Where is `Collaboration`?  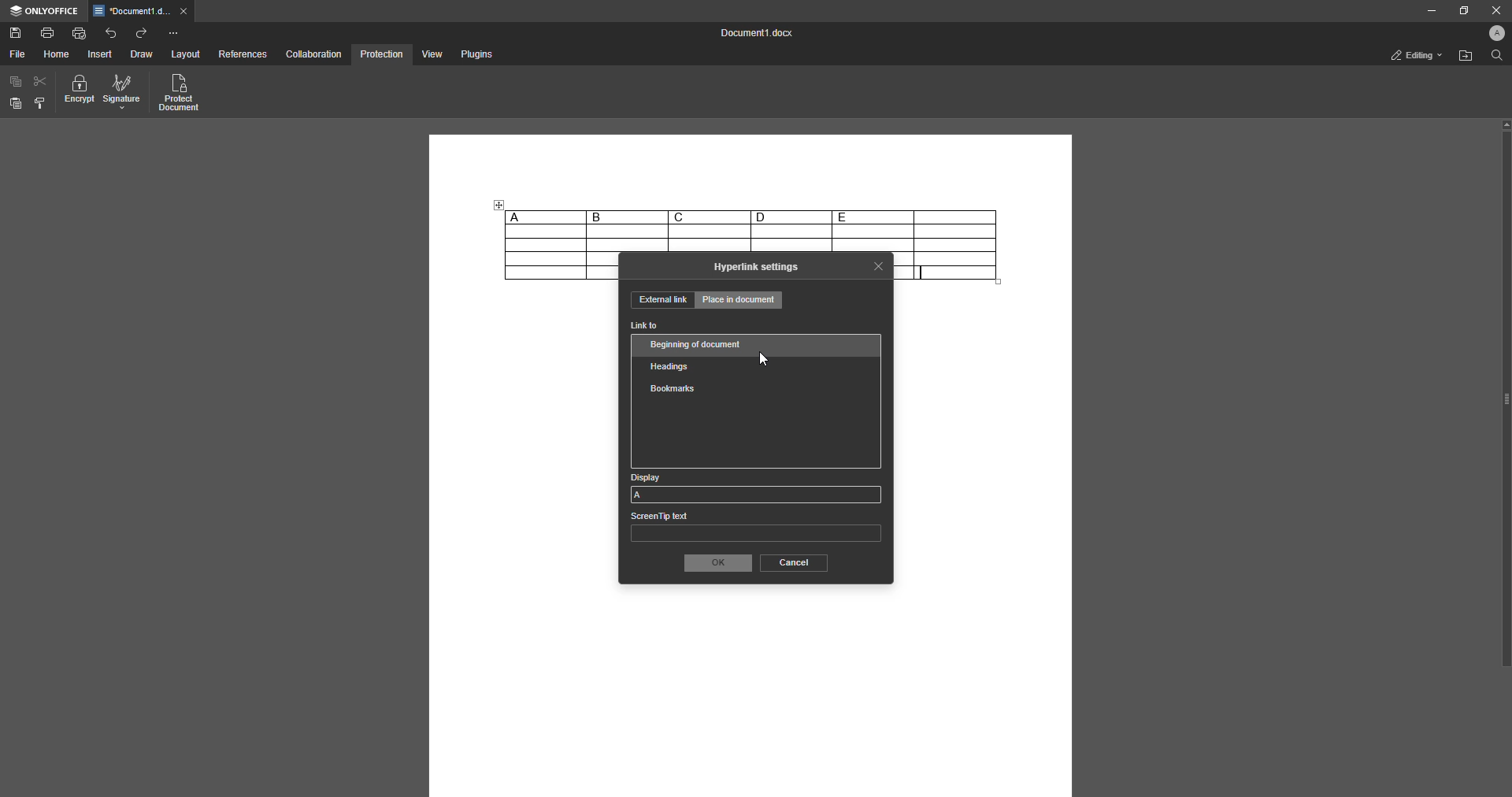
Collaboration is located at coordinates (314, 54).